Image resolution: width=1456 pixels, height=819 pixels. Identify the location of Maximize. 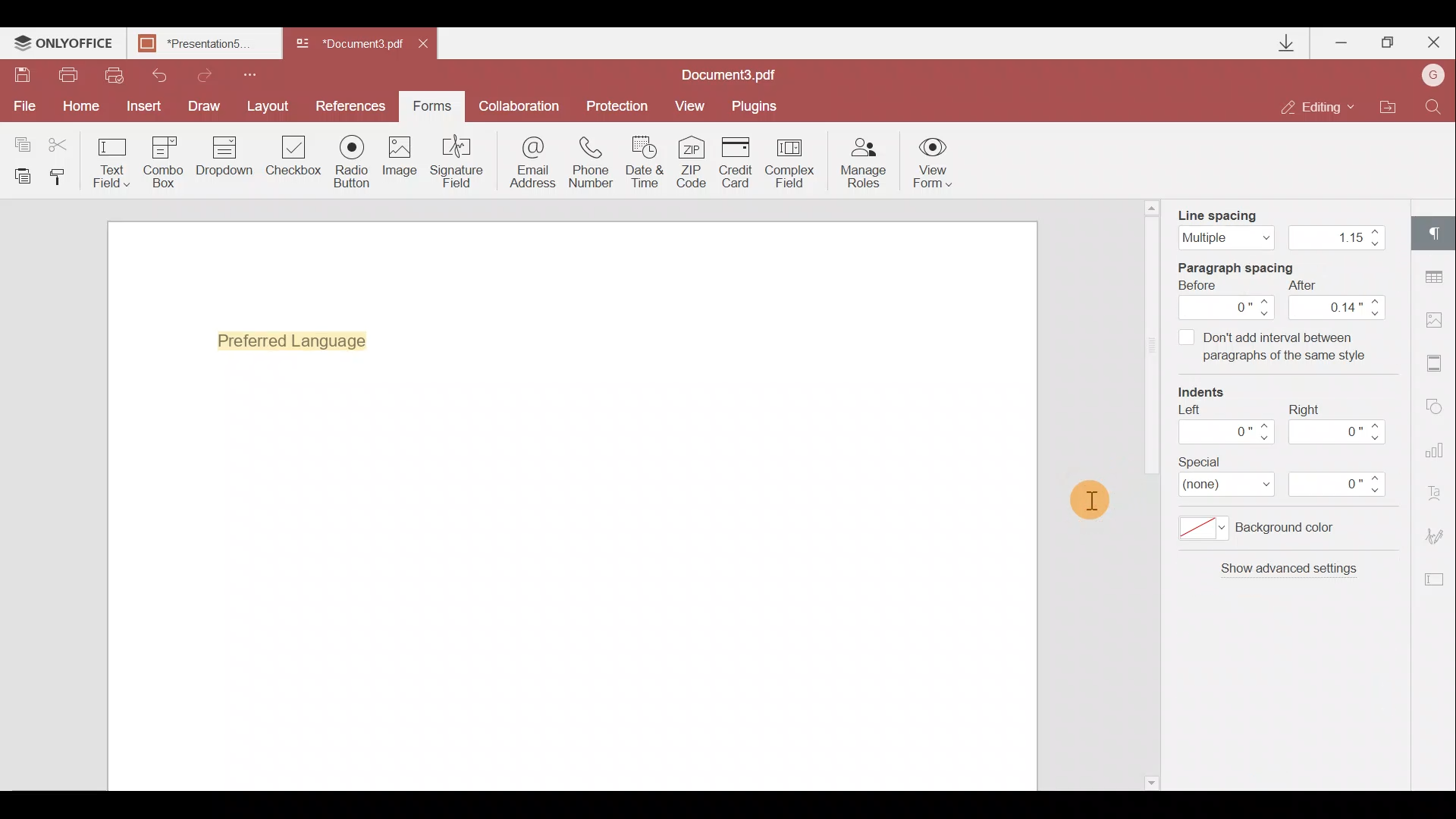
(1389, 42).